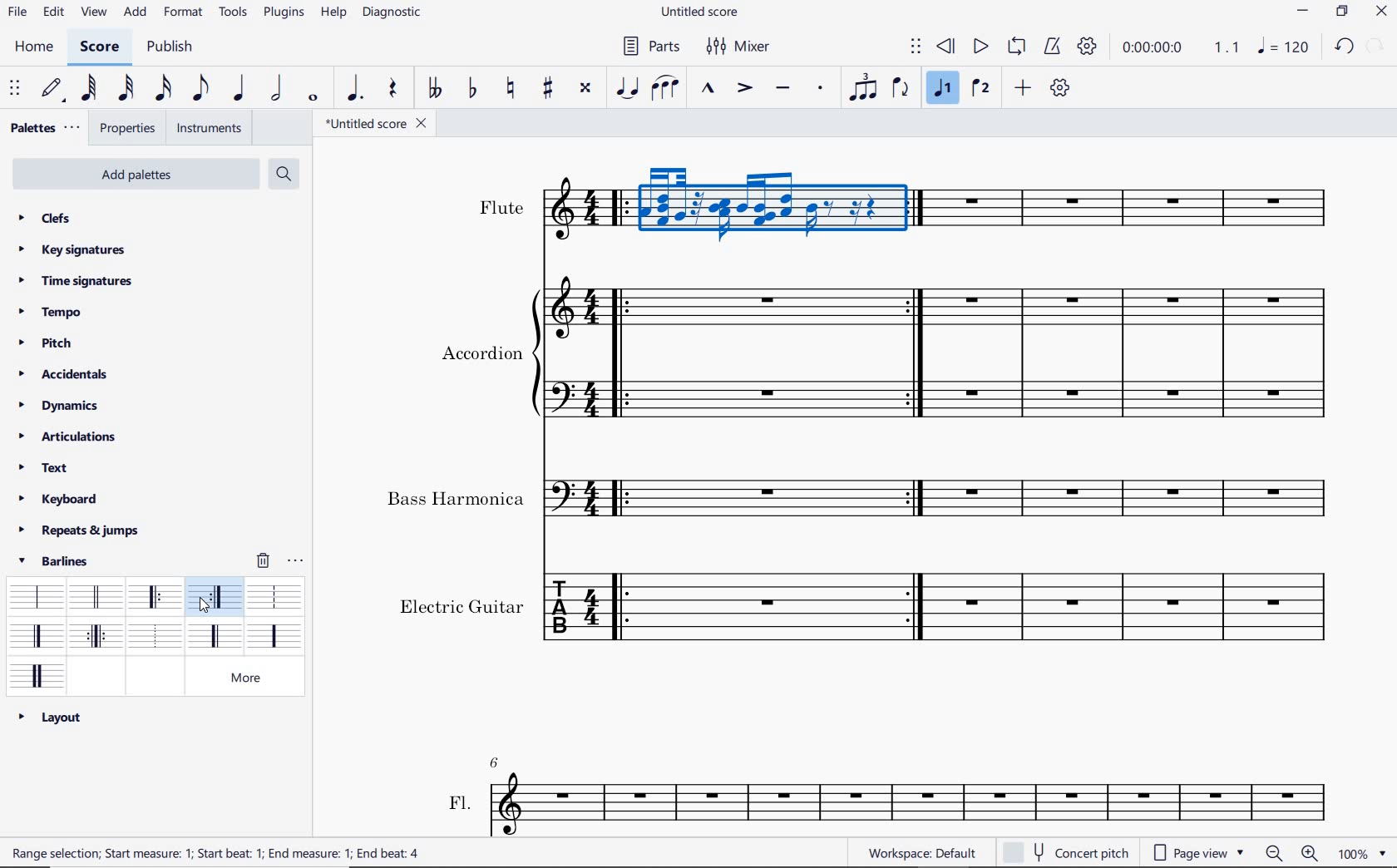 This screenshot has height=868, width=1397. What do you see at coordinates (1023, 87) in the screenshot?
I see `add` at bounding box center [1023, 87].